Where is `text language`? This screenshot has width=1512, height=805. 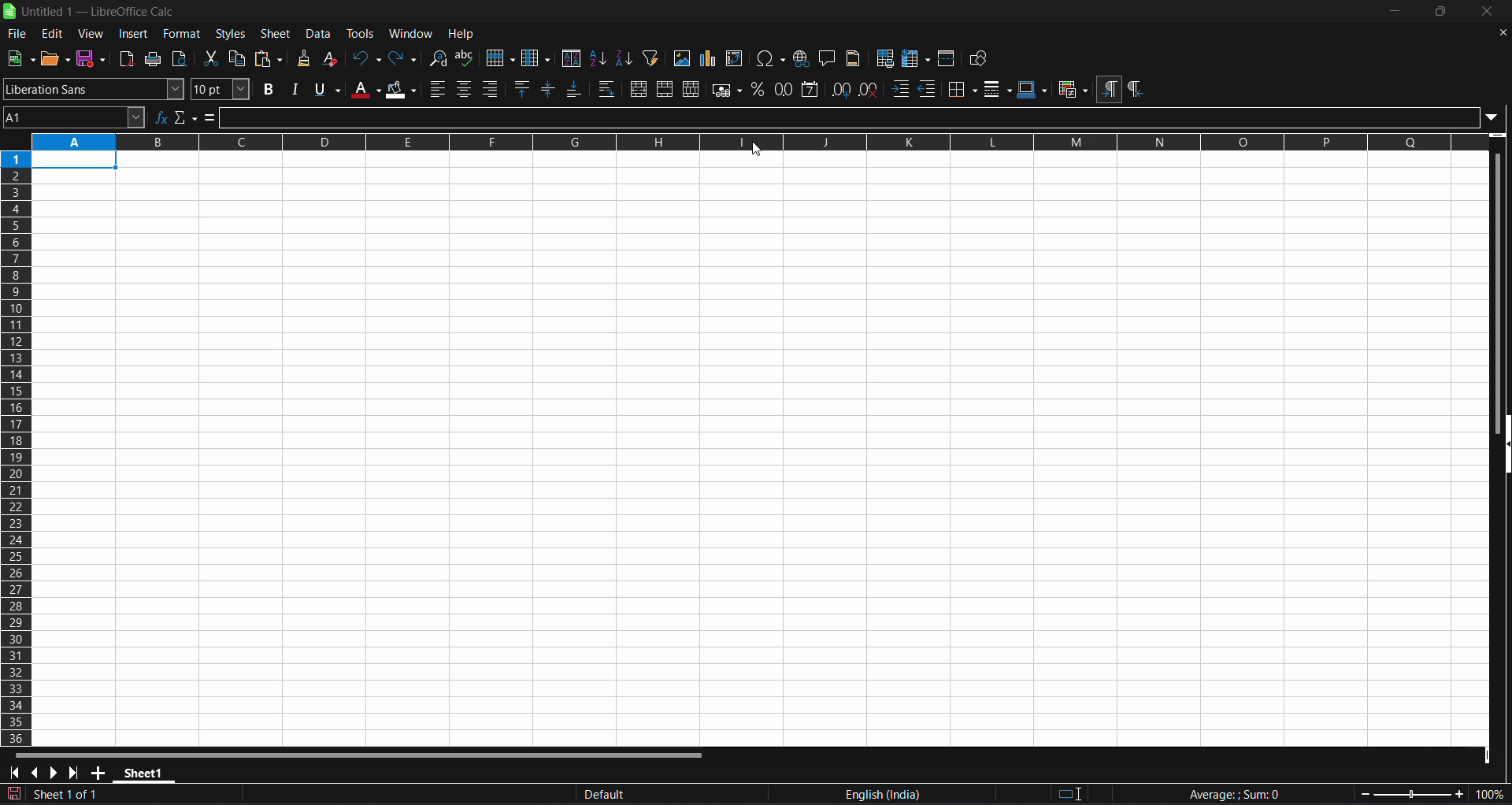
text language is located at coordinates (796, 796).